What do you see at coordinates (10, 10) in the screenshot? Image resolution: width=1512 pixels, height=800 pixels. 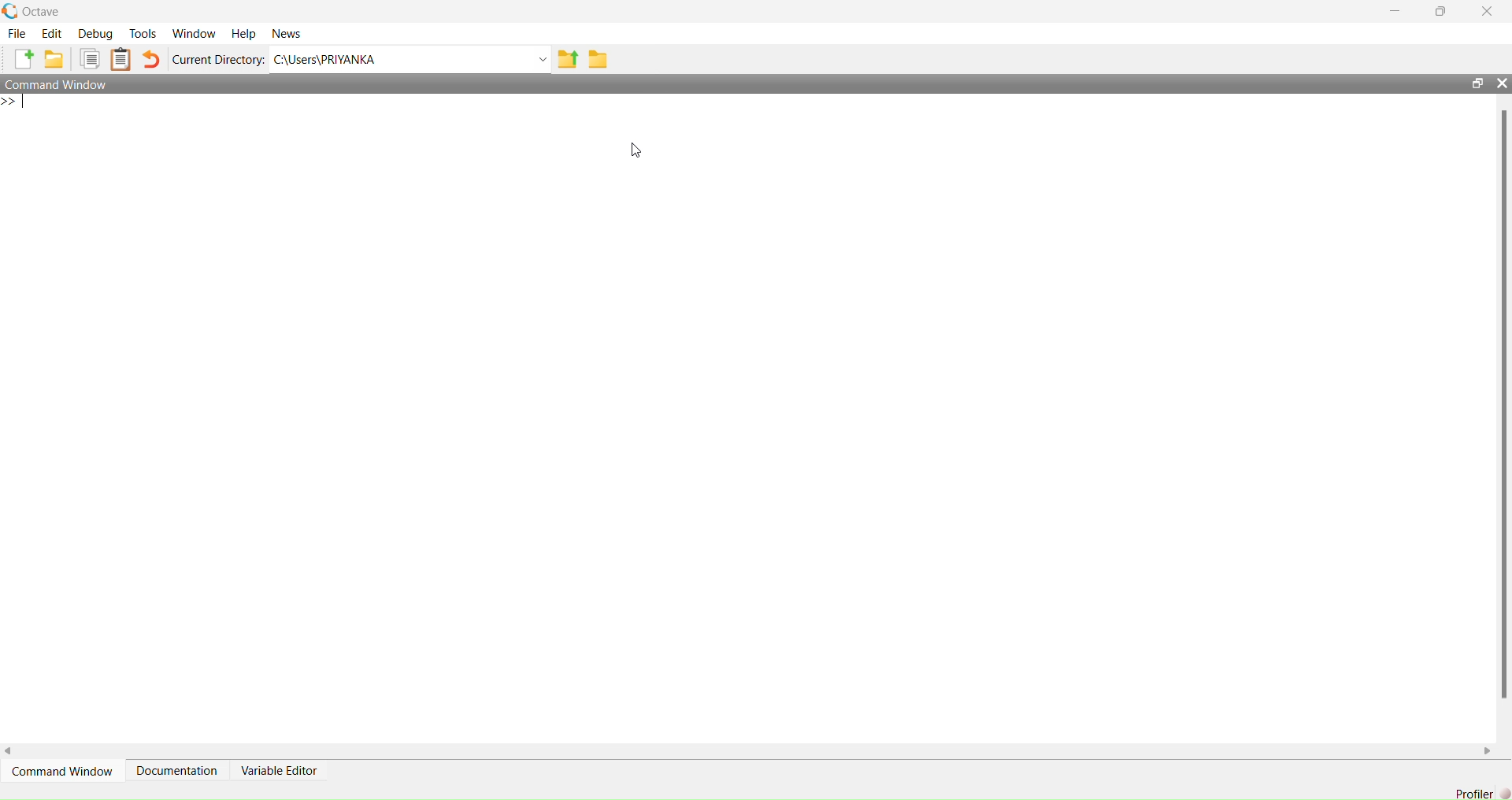 I see `Octave logo` at bounding box center [10, 10].